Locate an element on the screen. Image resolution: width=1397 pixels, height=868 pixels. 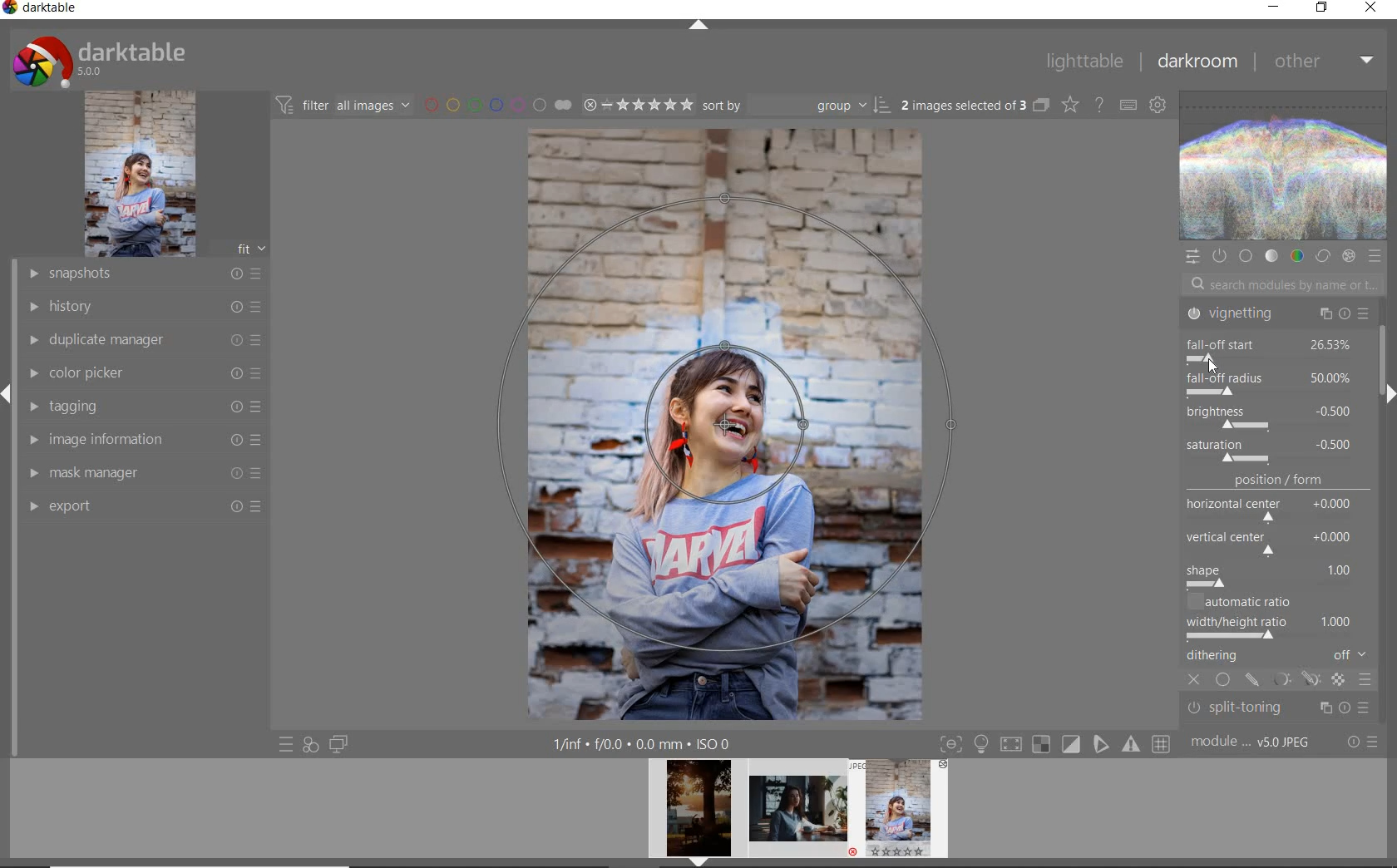
ENABLE ONLINE FOR HELP is located at coordinates (1098, 103).